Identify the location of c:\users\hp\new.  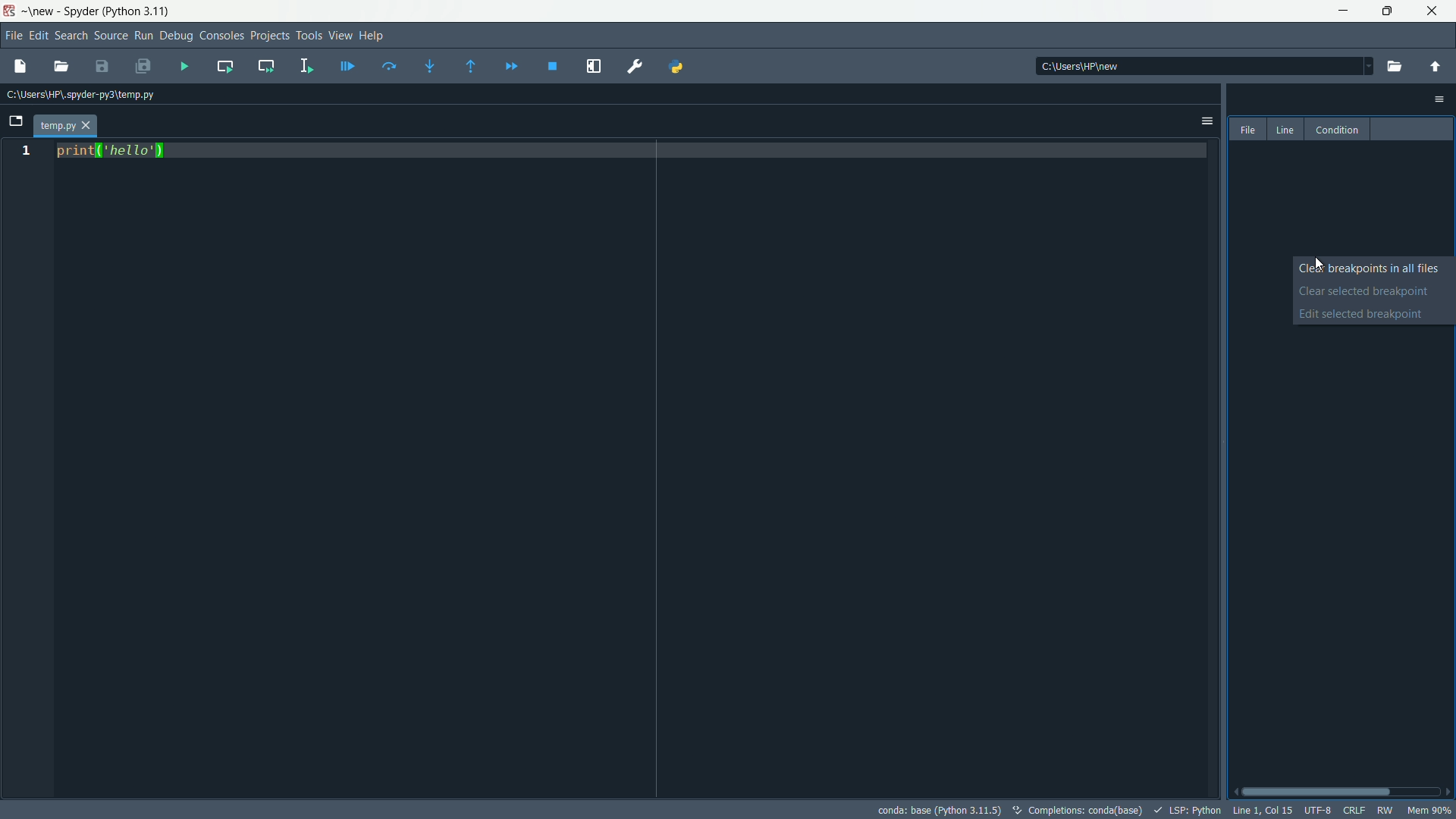
(1079, 66).